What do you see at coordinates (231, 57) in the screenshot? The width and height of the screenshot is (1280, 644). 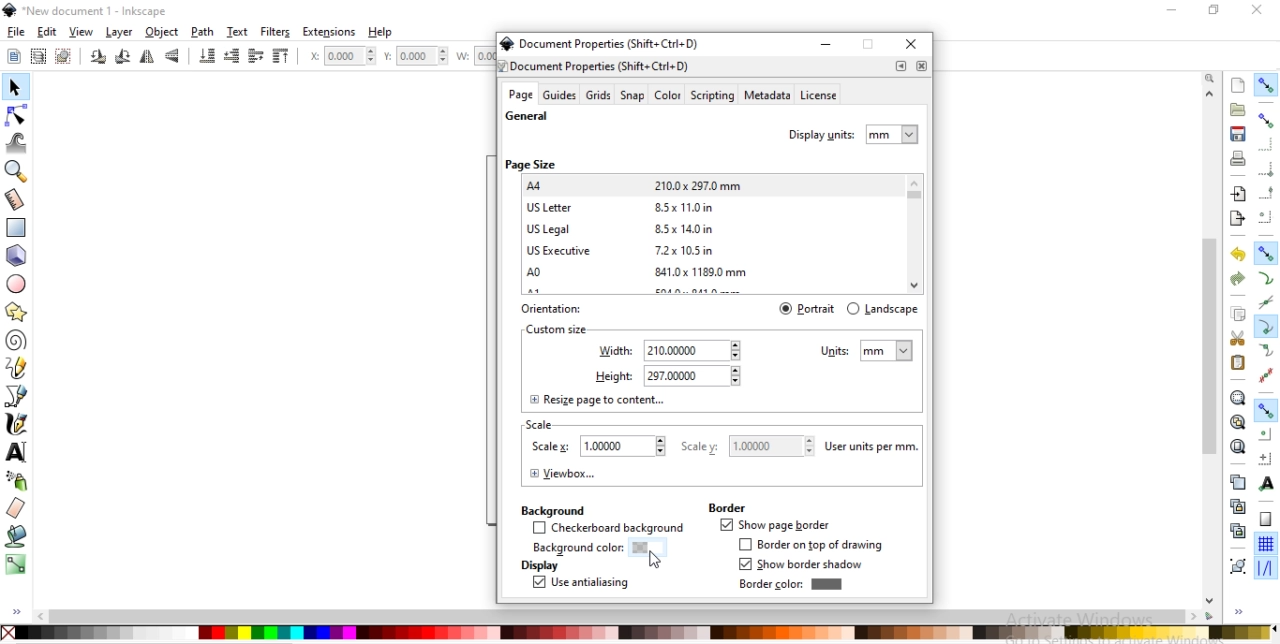 I see `lower selection one step` at bounding box center [231, 57].